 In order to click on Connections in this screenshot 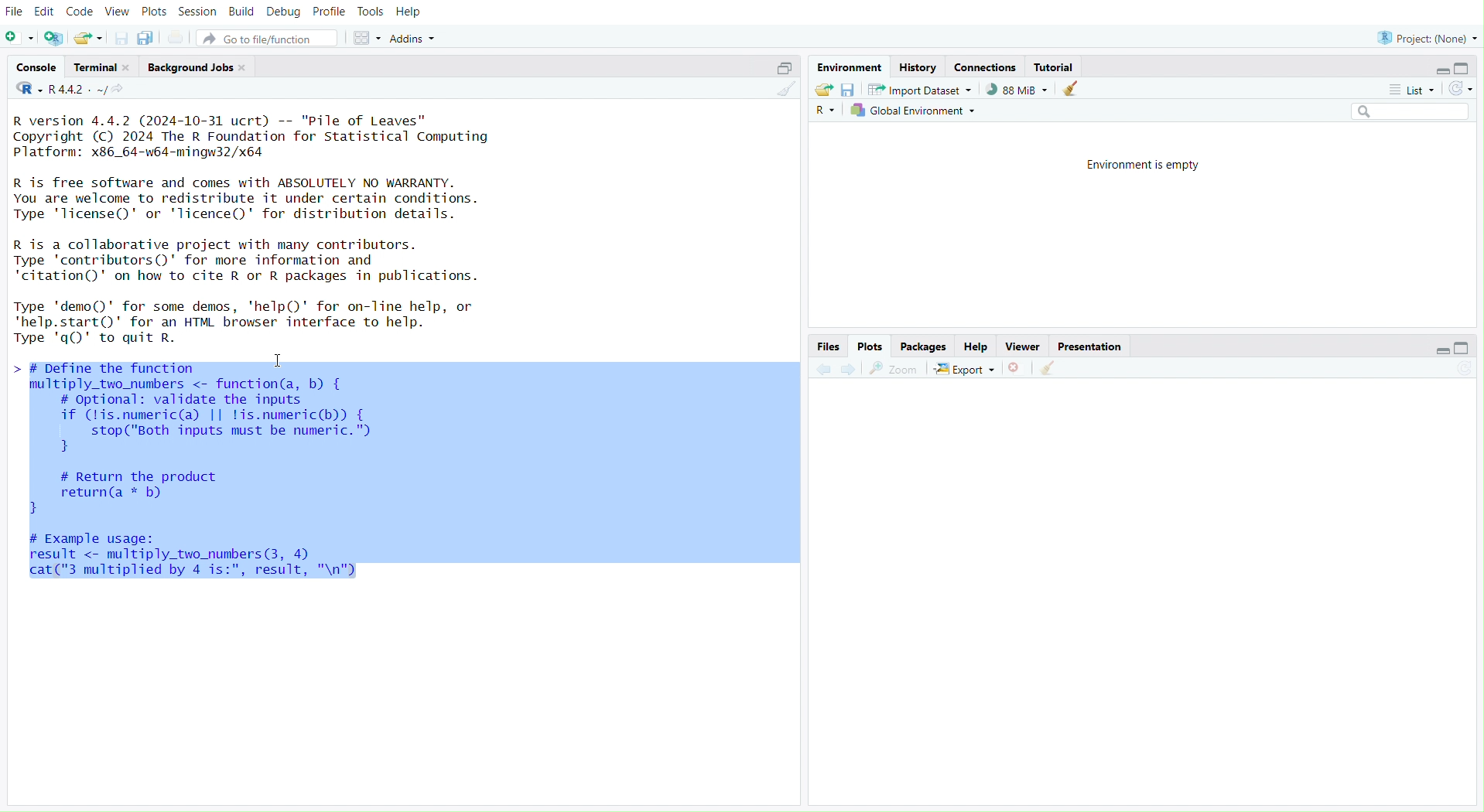, I will do `click(986, 67)`.